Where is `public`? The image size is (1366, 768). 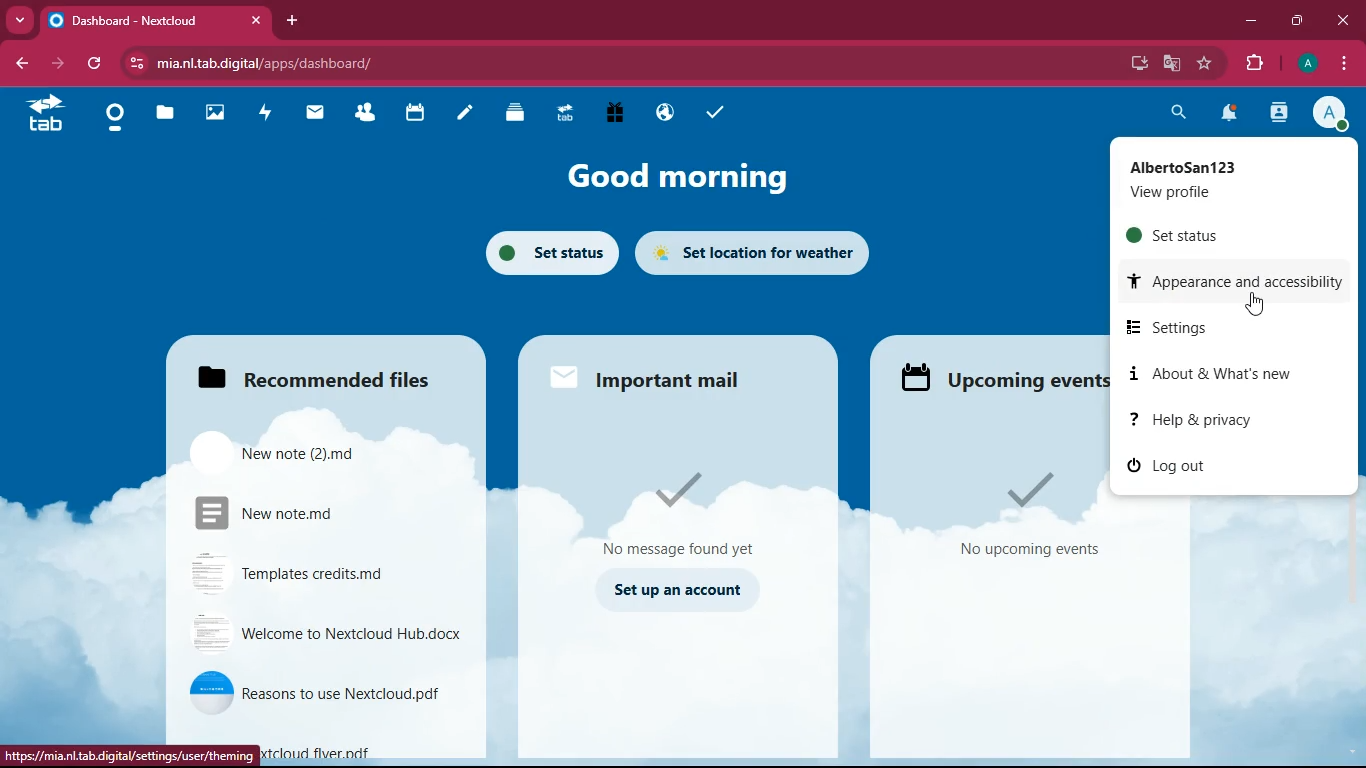
public is located at coordinates (661, 112).